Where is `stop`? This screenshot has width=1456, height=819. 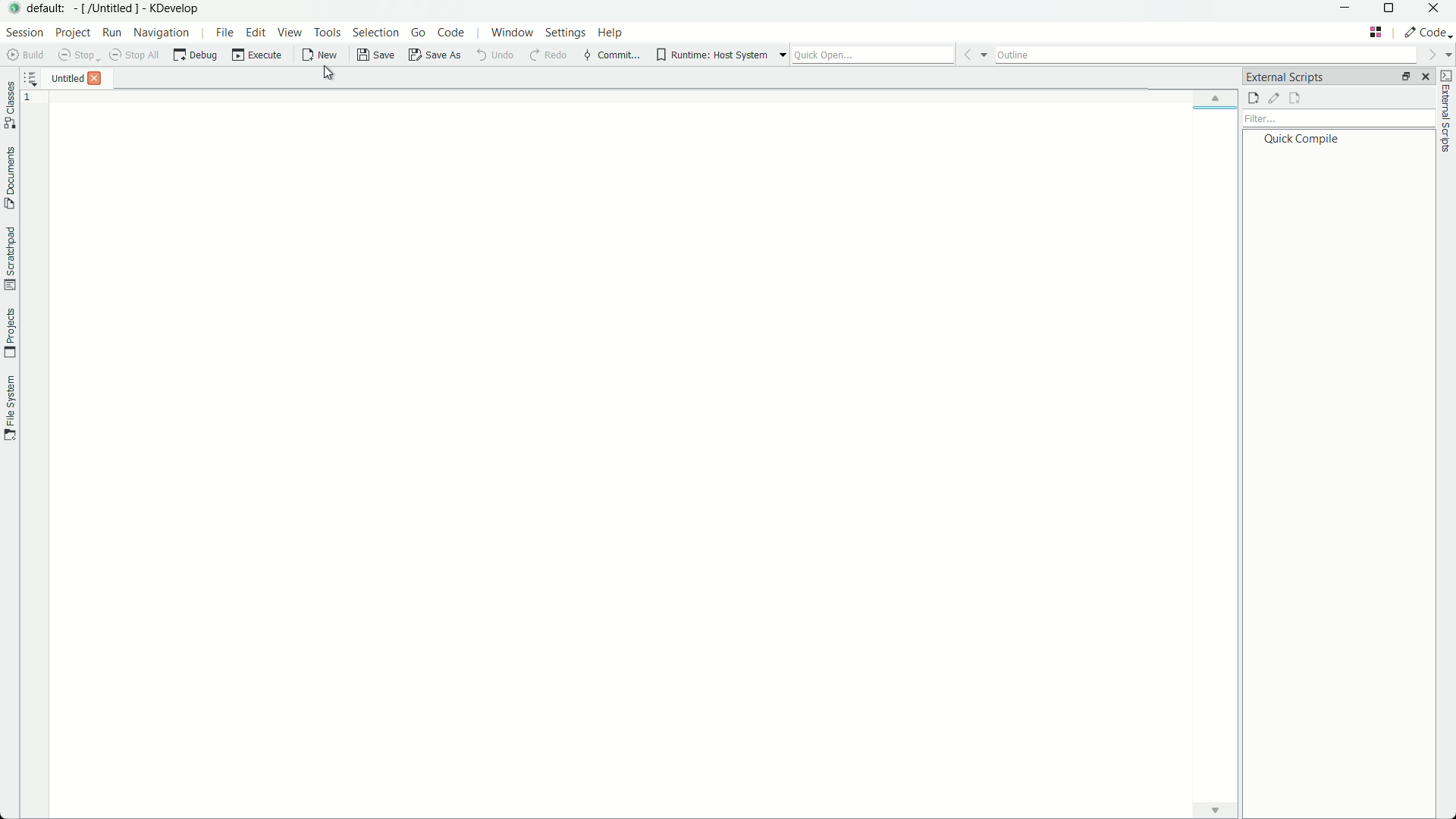
stop is located at coordinates (77, 55).